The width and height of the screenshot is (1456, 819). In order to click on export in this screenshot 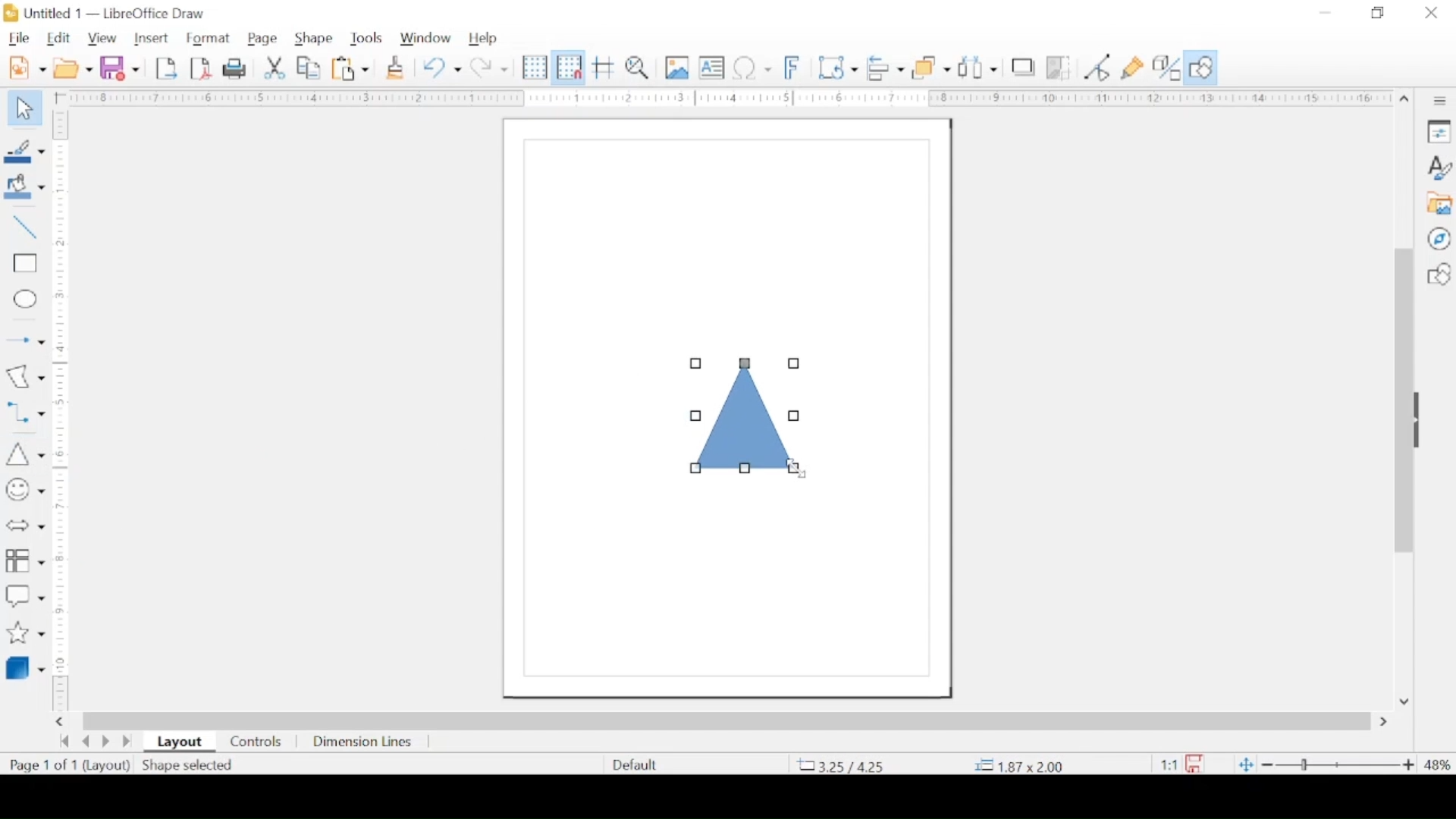, I will do `click(166, 68)`.